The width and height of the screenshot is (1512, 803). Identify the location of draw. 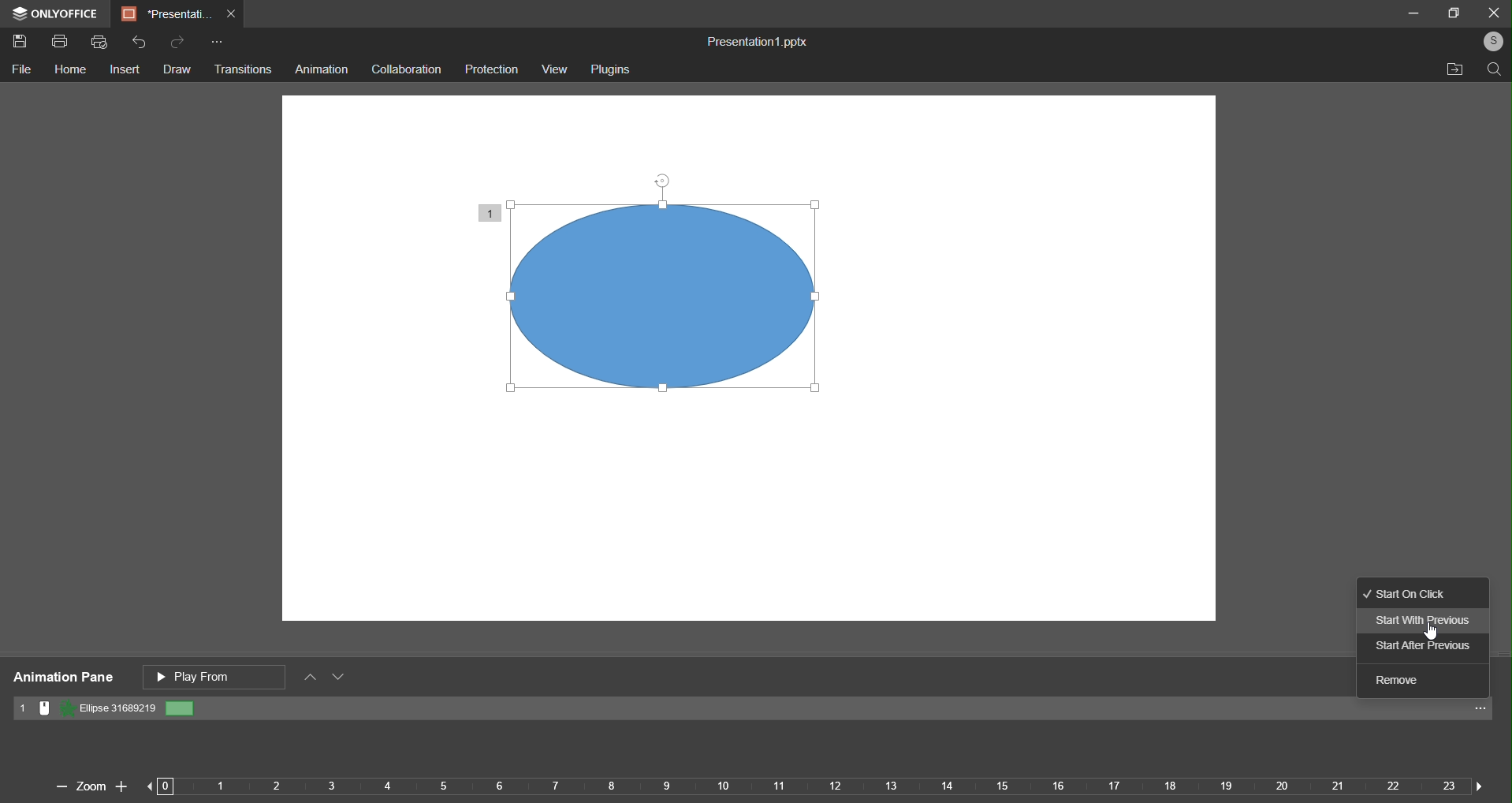
(177, 69).